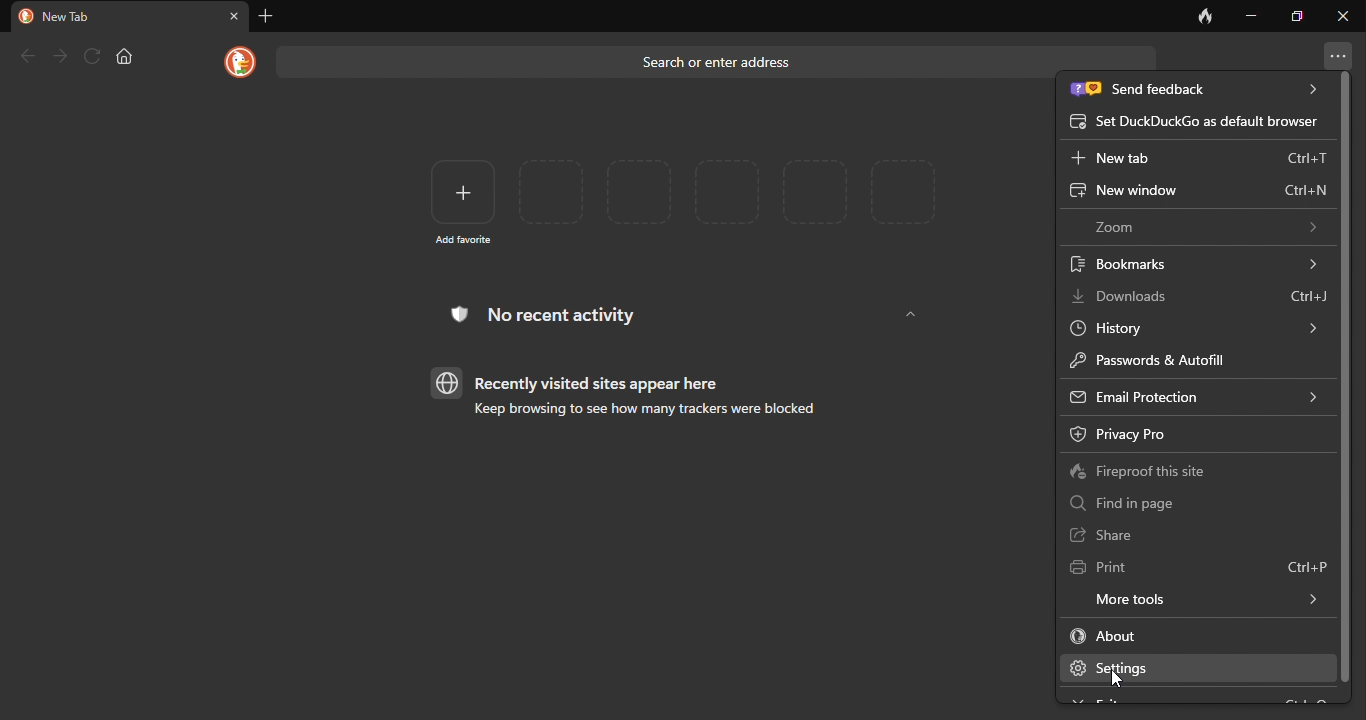 The height and width of the screenshot is (720, 1366). Describe the element at coordinates (1205, 16) in the screenshot. I see `close tab and clear data` at that location.